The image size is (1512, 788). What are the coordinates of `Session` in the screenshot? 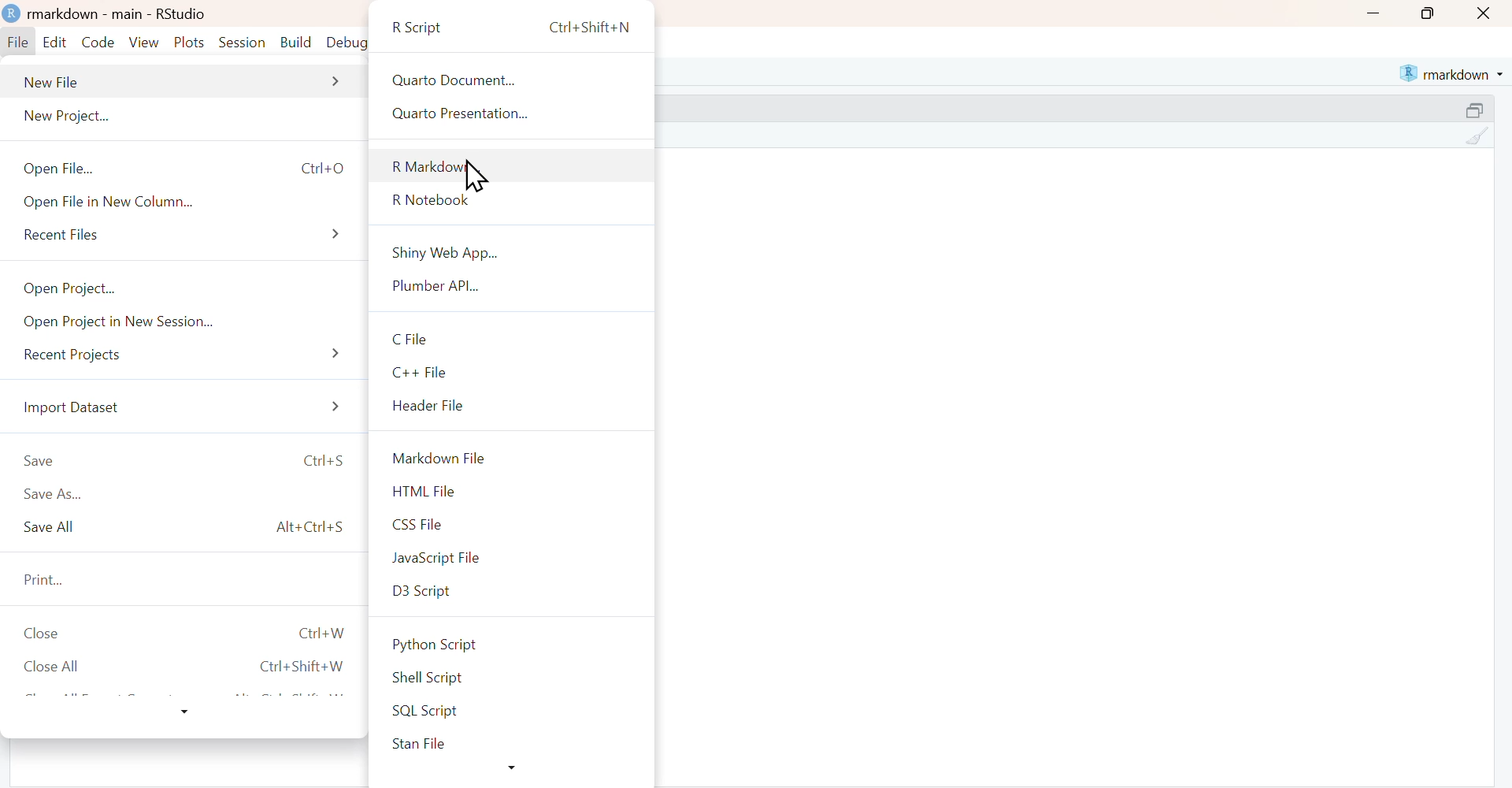 It's located at (243, 43).